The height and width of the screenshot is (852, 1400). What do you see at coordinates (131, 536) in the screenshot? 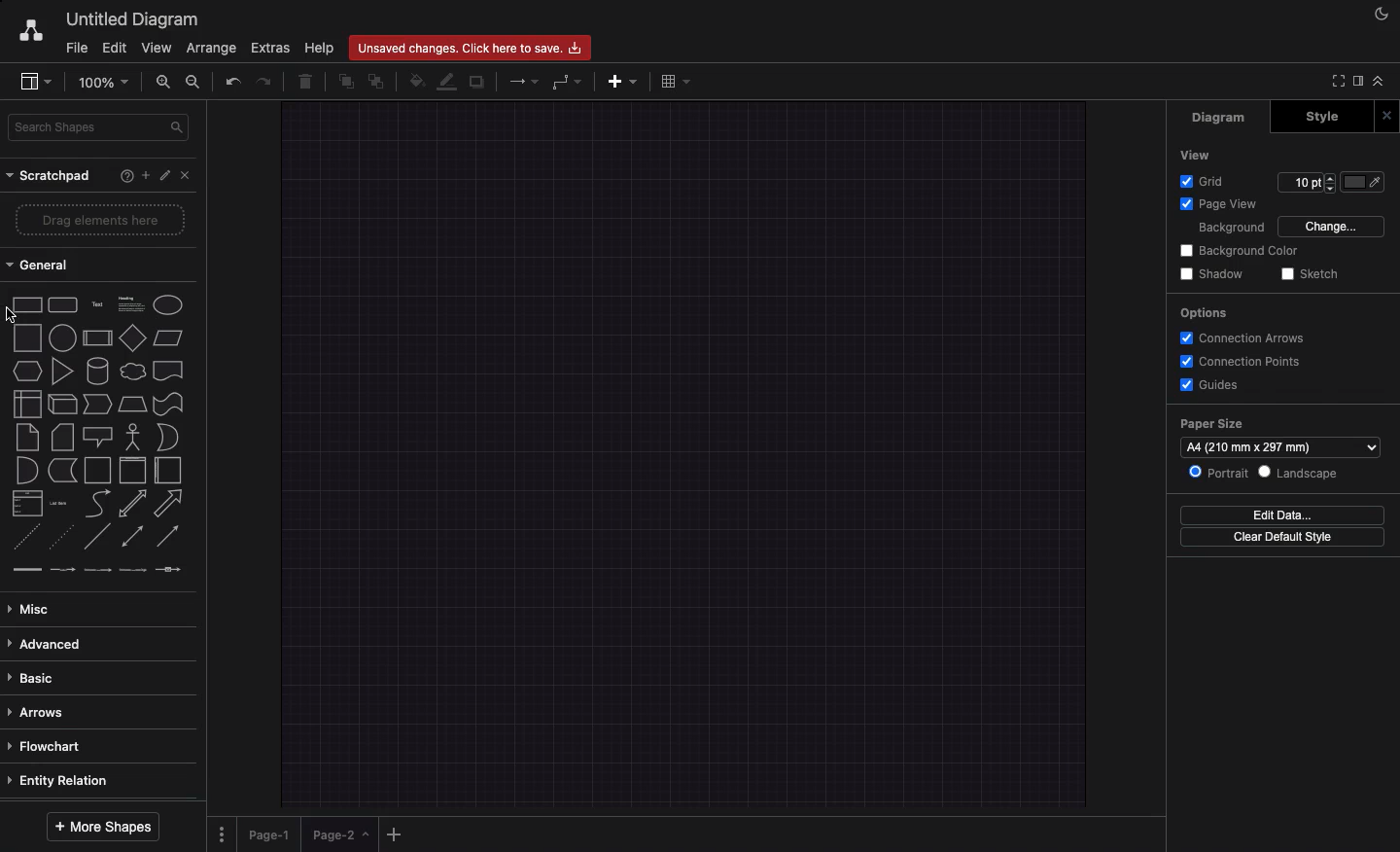
I see `bidirectional connector` at bounding box center [131, 536].